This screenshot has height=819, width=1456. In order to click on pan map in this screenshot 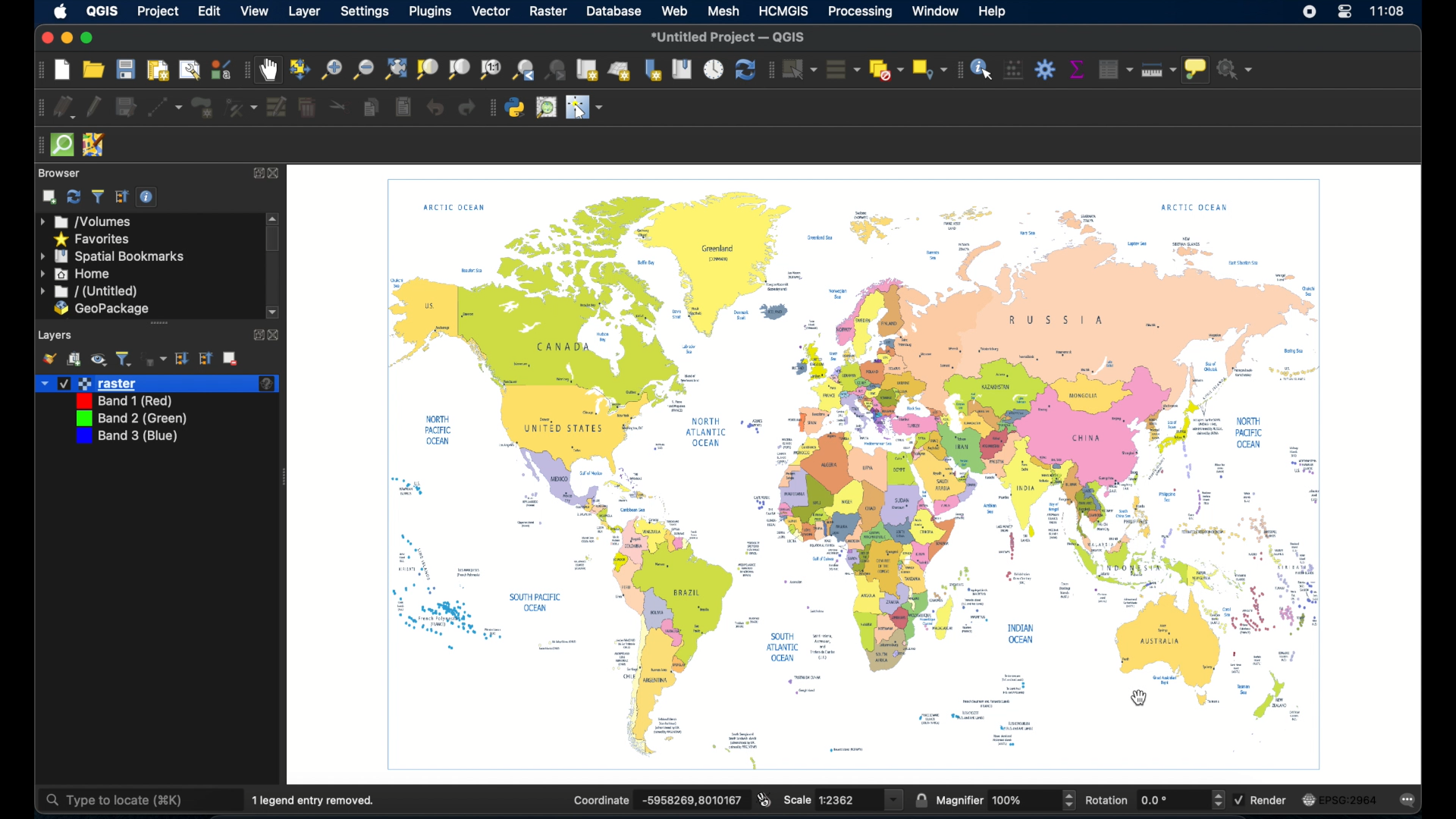, I will do `click(271, 71)`.